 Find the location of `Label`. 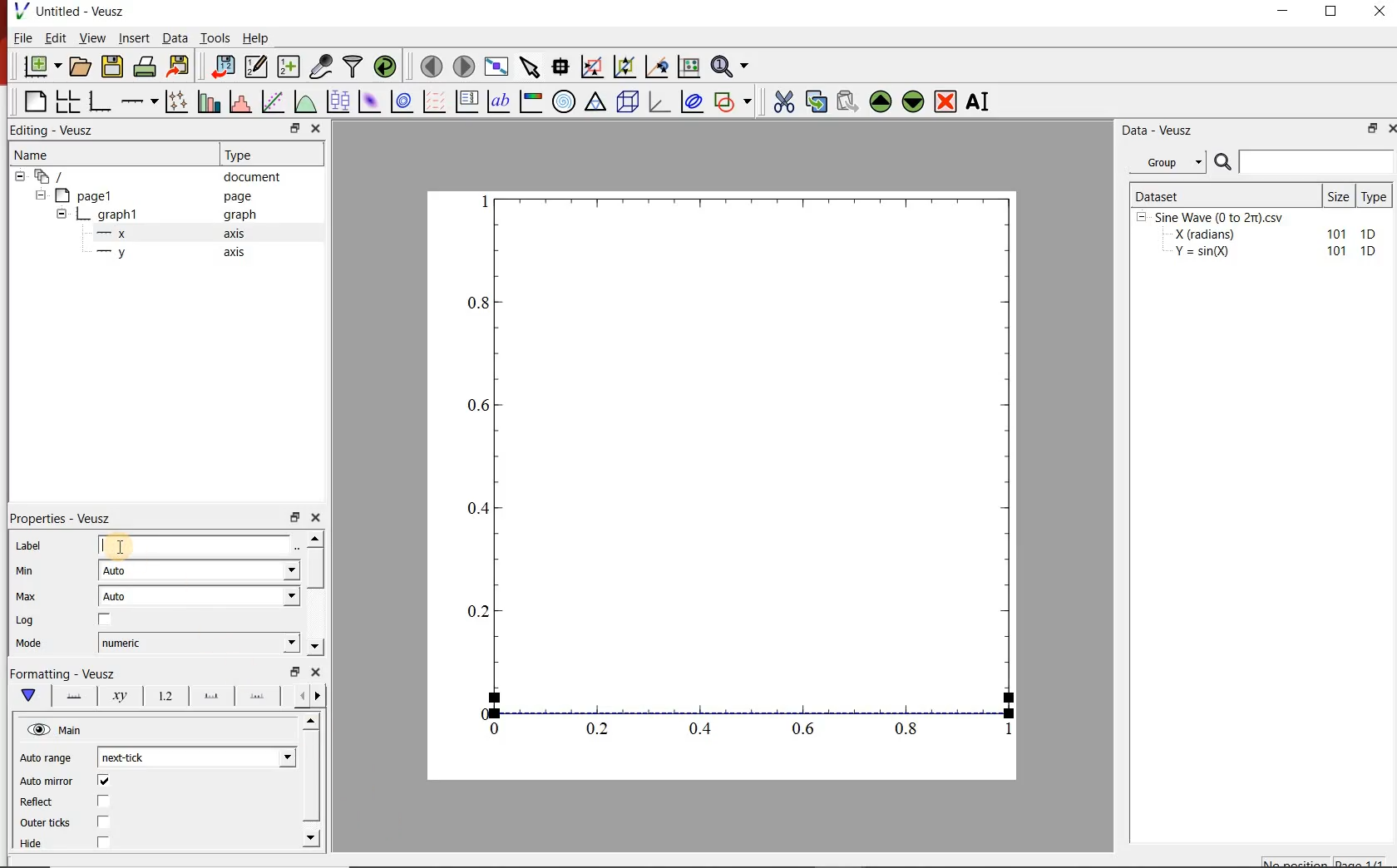

Label is located at coordinates (29, 545).